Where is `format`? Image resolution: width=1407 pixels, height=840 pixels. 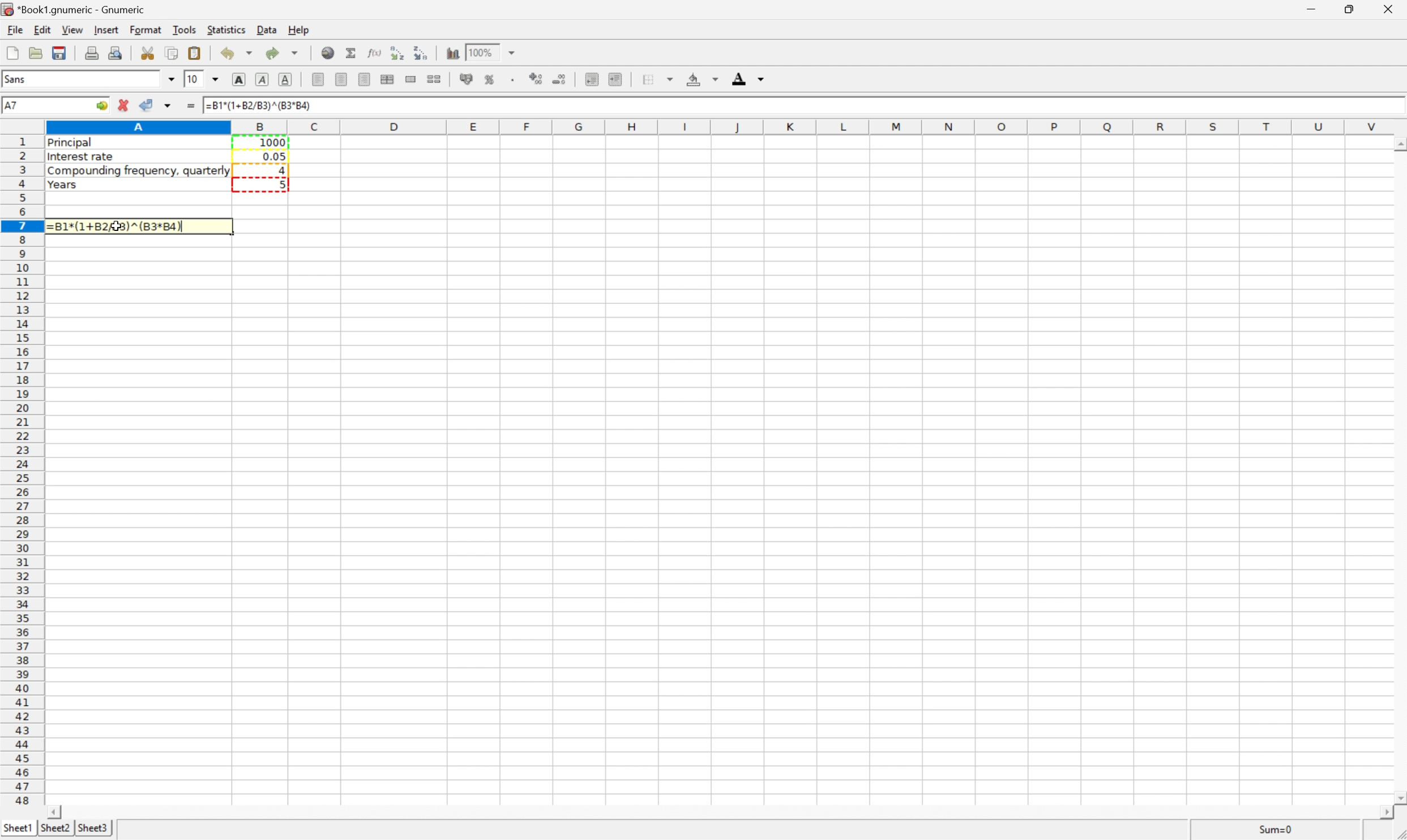 format is located at coordinates (144, 29).